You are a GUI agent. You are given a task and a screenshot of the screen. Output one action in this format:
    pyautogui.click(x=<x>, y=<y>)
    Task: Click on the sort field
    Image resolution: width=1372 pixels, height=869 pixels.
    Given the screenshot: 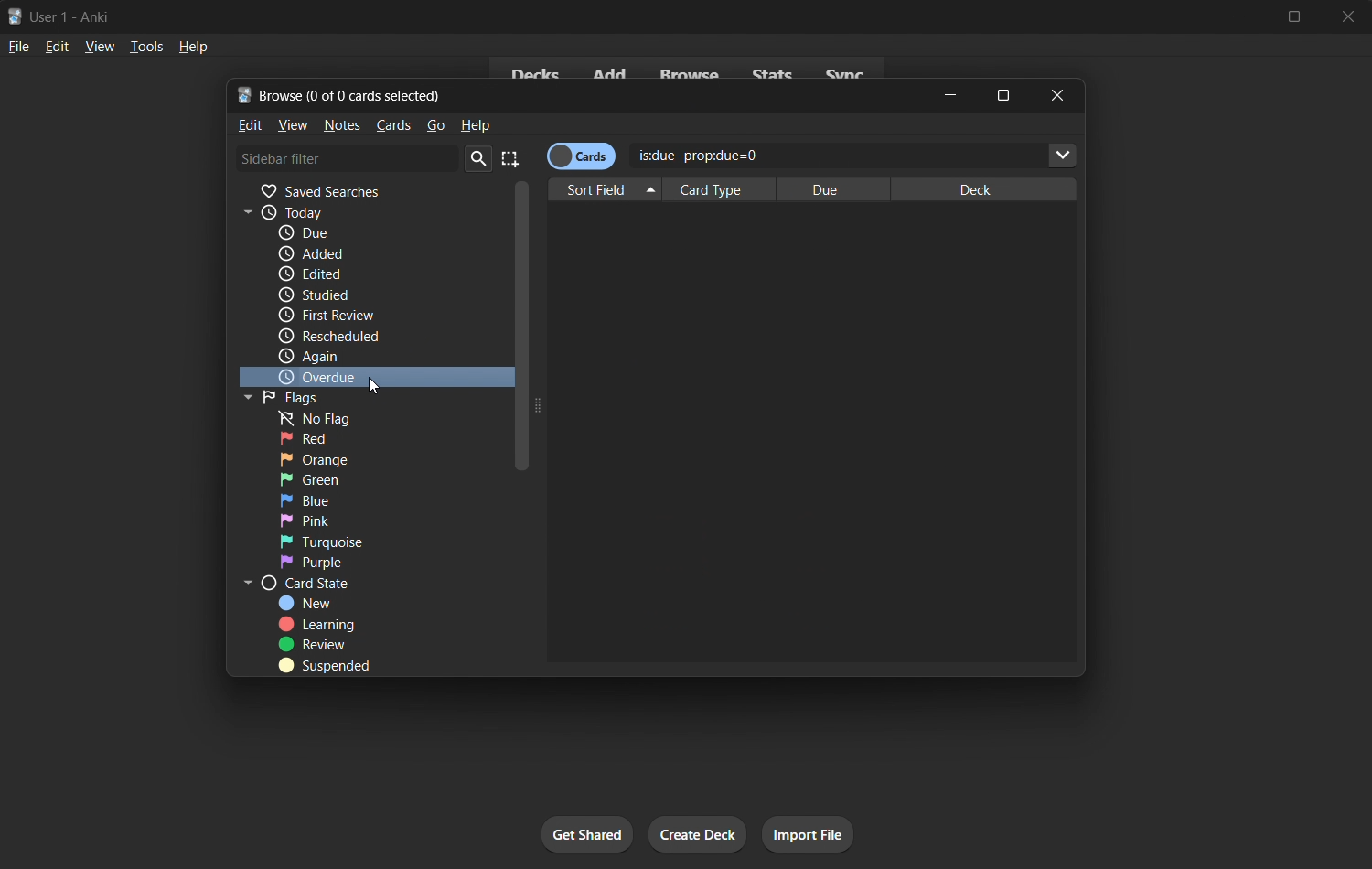 What is the action you would take?
    pyautogui.click(x=607, y=190)
    